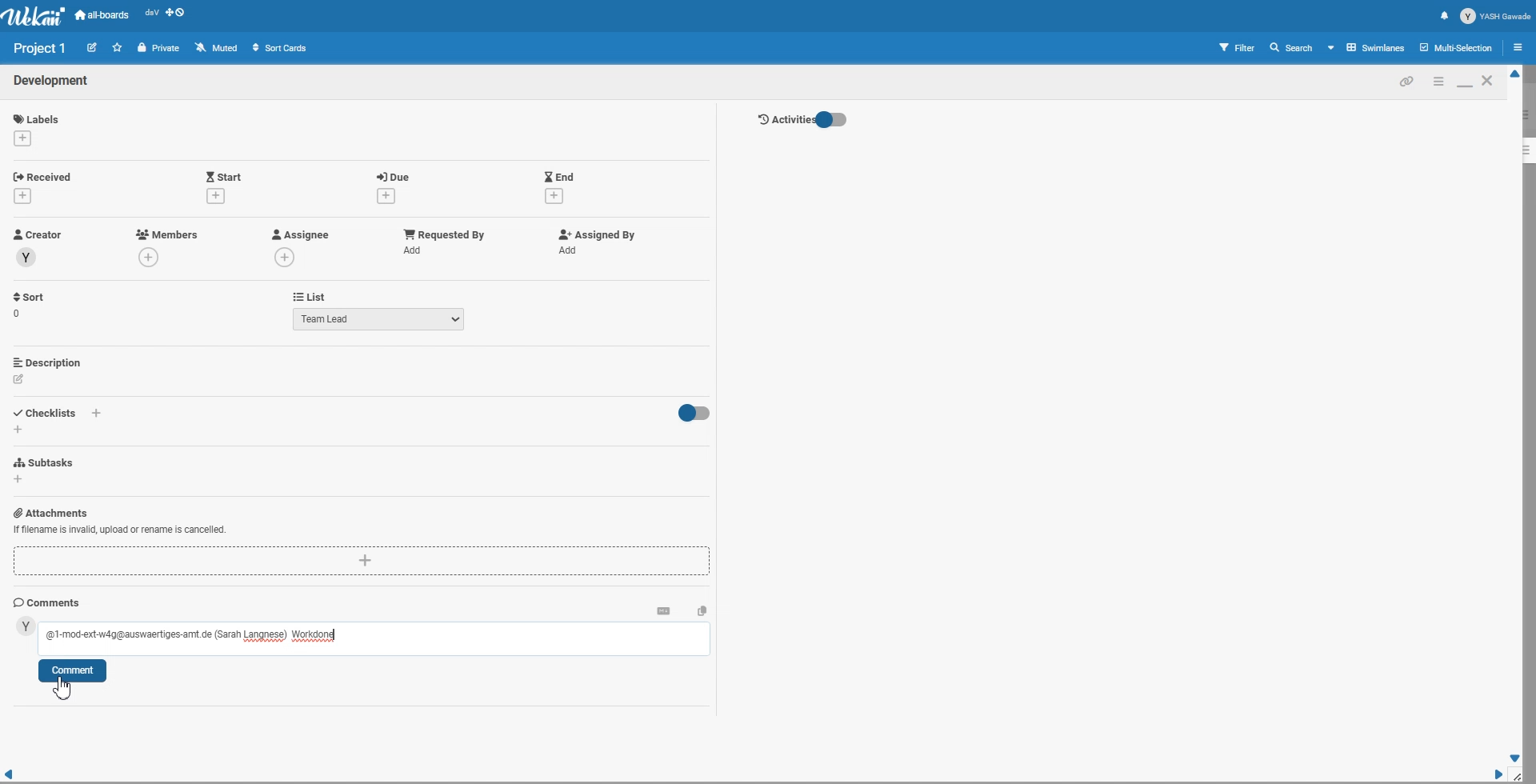 This screenshot has width=1536, height=784. Describe the element at coordinates (594, 234) in the screenshot. I see `Add Assigned By` at that location.